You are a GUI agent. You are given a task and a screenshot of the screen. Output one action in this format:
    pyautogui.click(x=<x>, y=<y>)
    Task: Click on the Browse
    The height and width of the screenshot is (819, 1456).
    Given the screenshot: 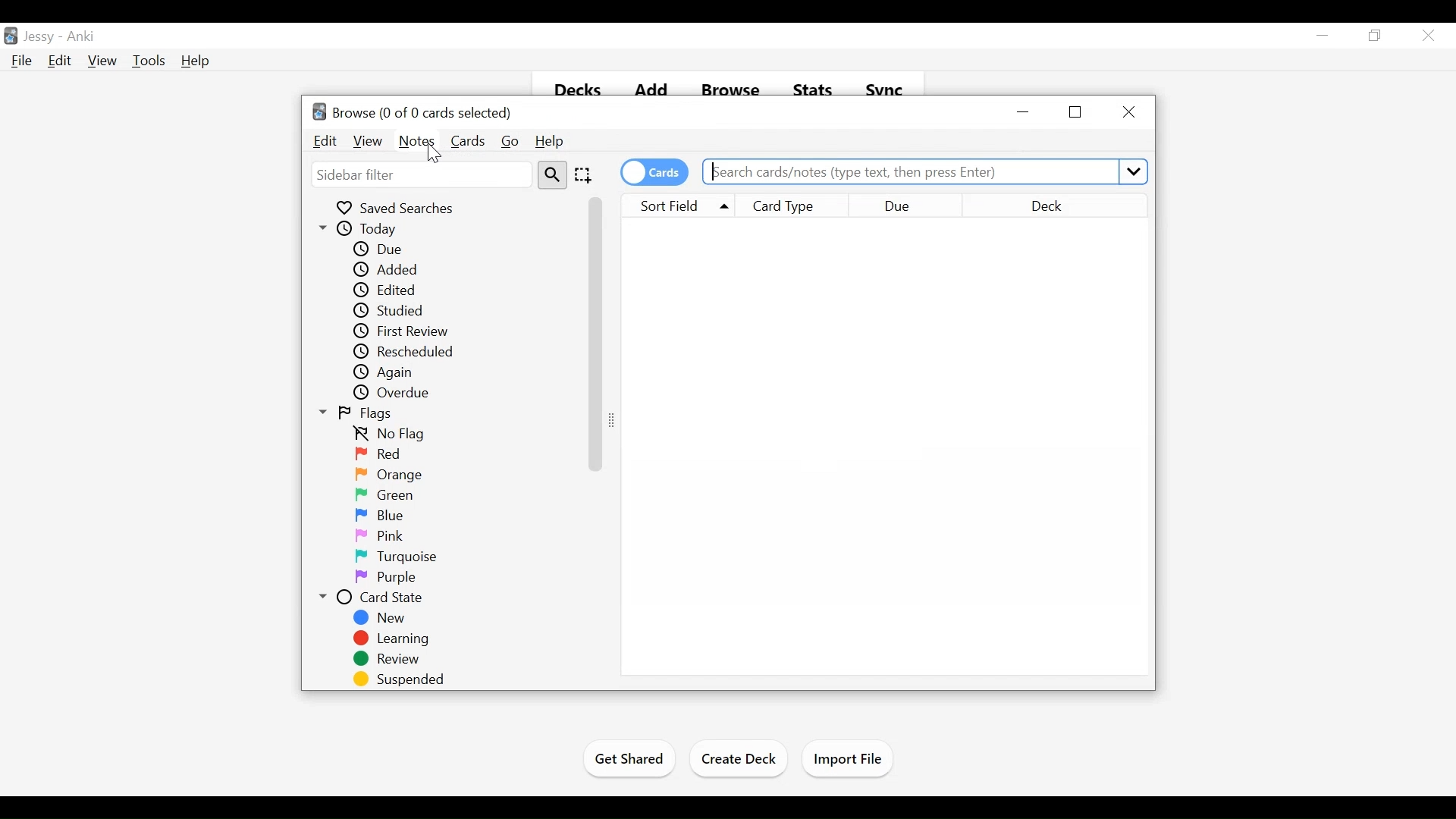 What is the action you would take?
    pyautogui.click(x=730, y=86)
    